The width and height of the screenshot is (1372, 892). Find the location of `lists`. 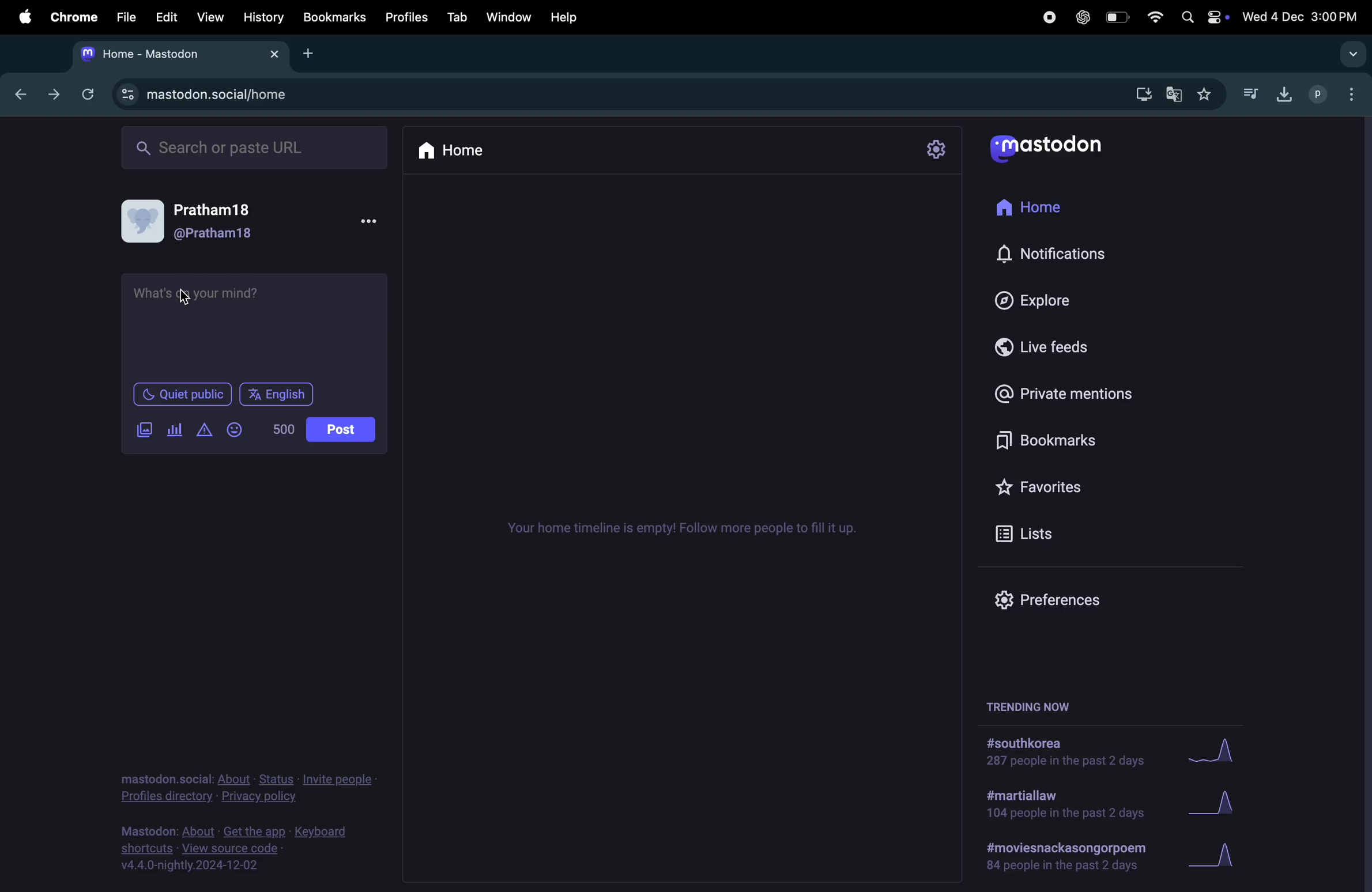

lists is located at coordinates (1034, 531).